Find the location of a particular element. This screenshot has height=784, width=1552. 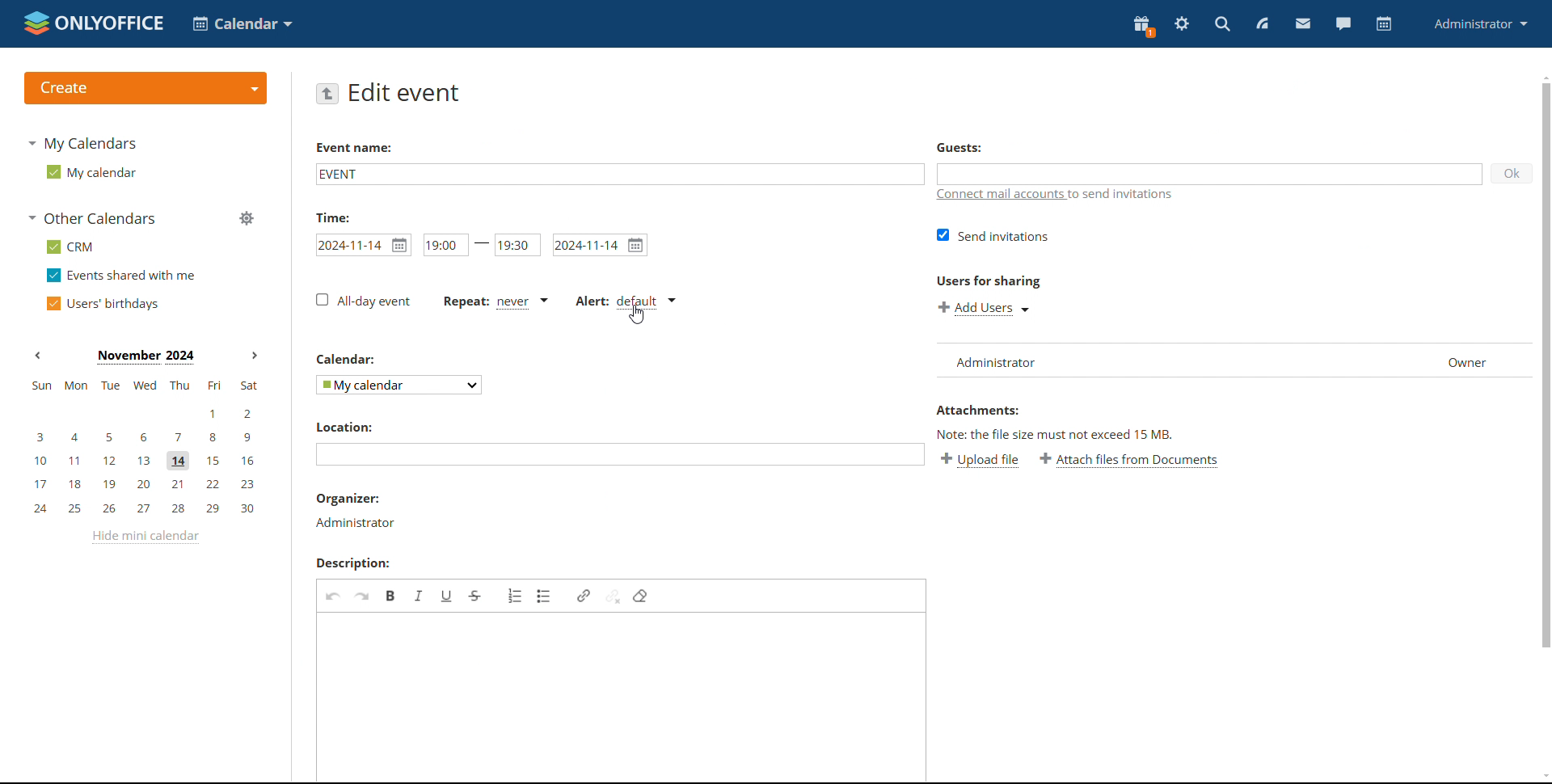

create is located at coordinates (145, 88).